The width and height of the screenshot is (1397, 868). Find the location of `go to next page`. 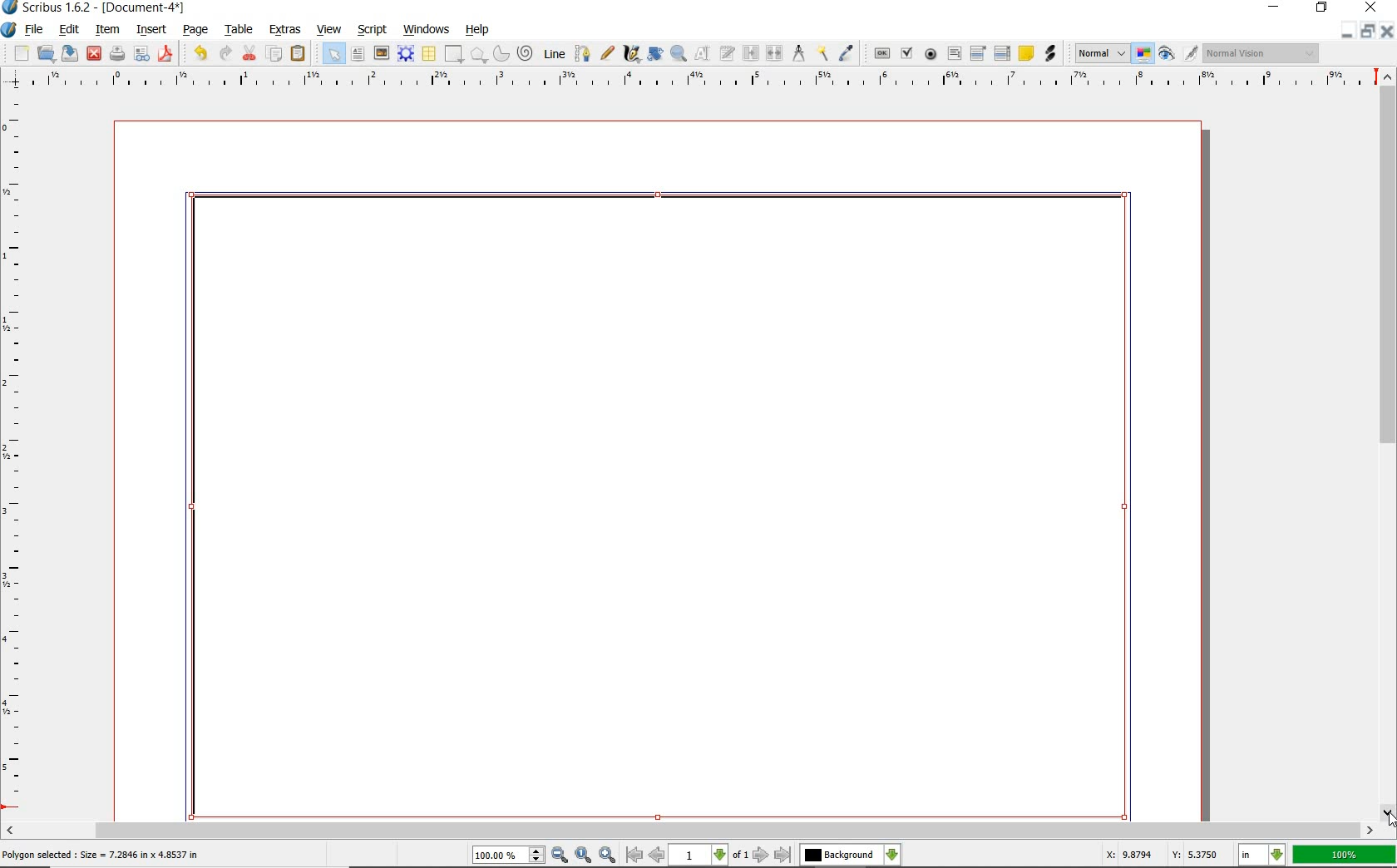

go to next page is located at coordinates (762, 855).